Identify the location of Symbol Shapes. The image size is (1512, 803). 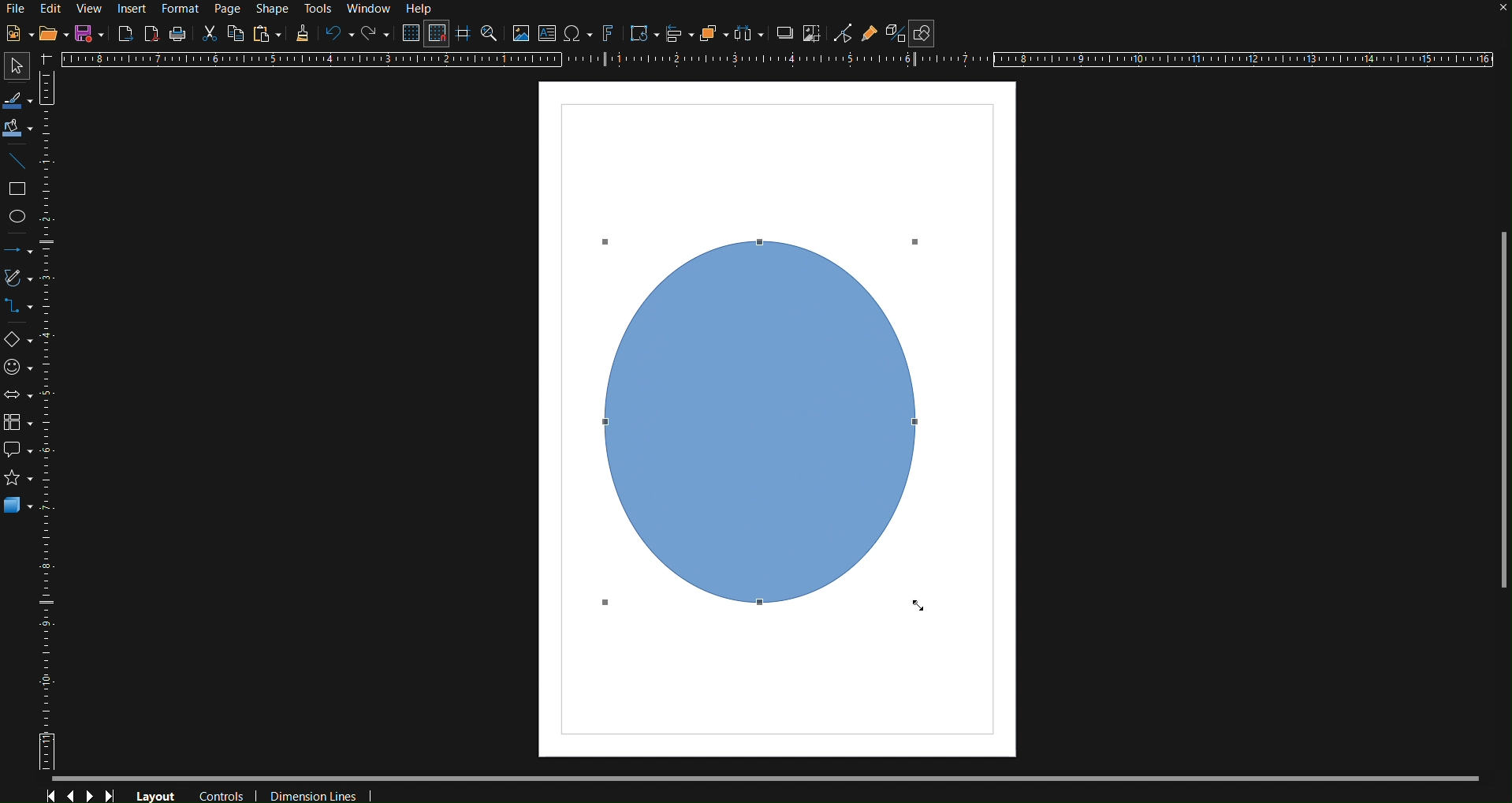
(22, 367).